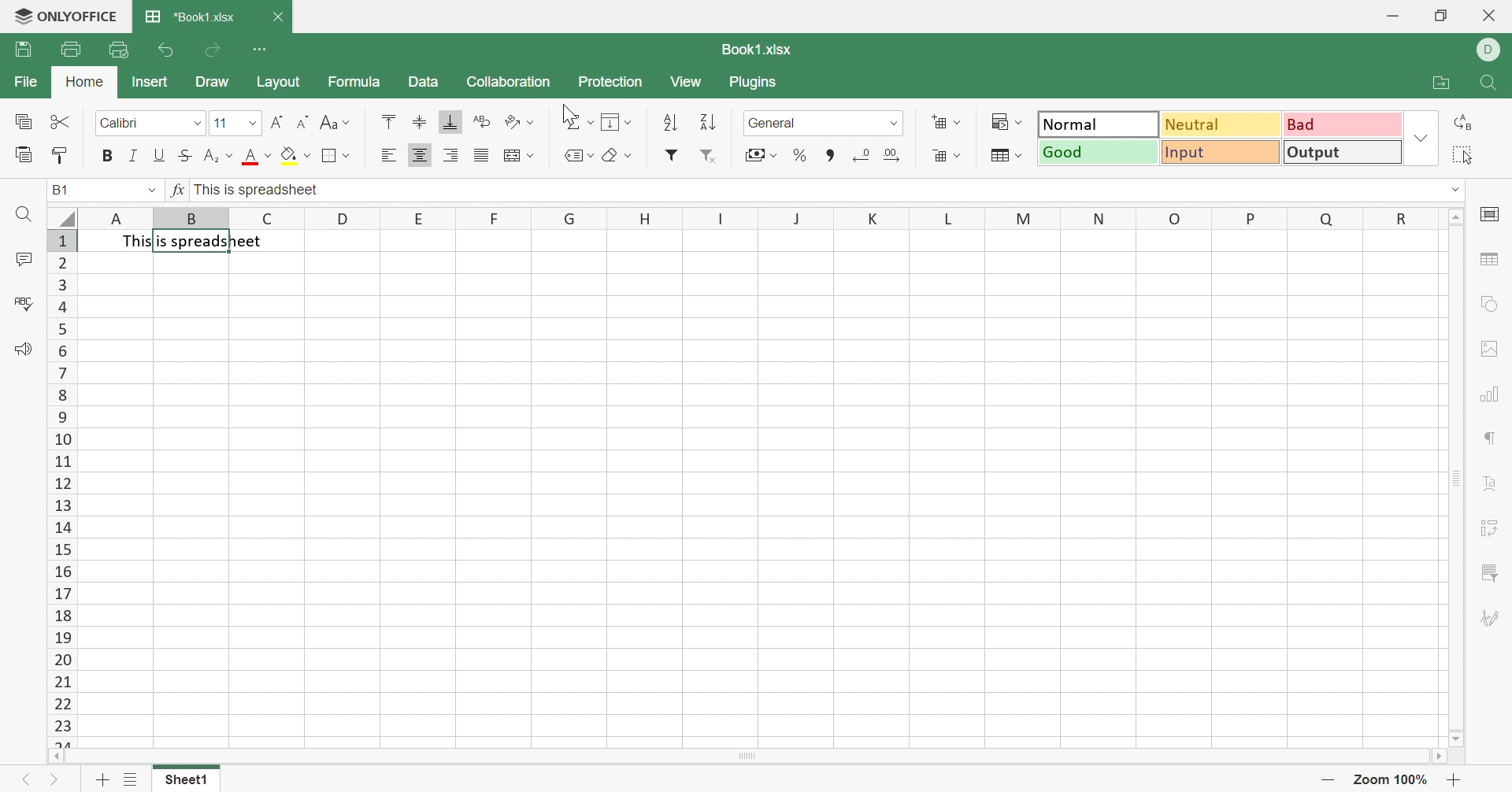 The image size is (1512, 792). I want to click on Drop Down, so click(627, 154).